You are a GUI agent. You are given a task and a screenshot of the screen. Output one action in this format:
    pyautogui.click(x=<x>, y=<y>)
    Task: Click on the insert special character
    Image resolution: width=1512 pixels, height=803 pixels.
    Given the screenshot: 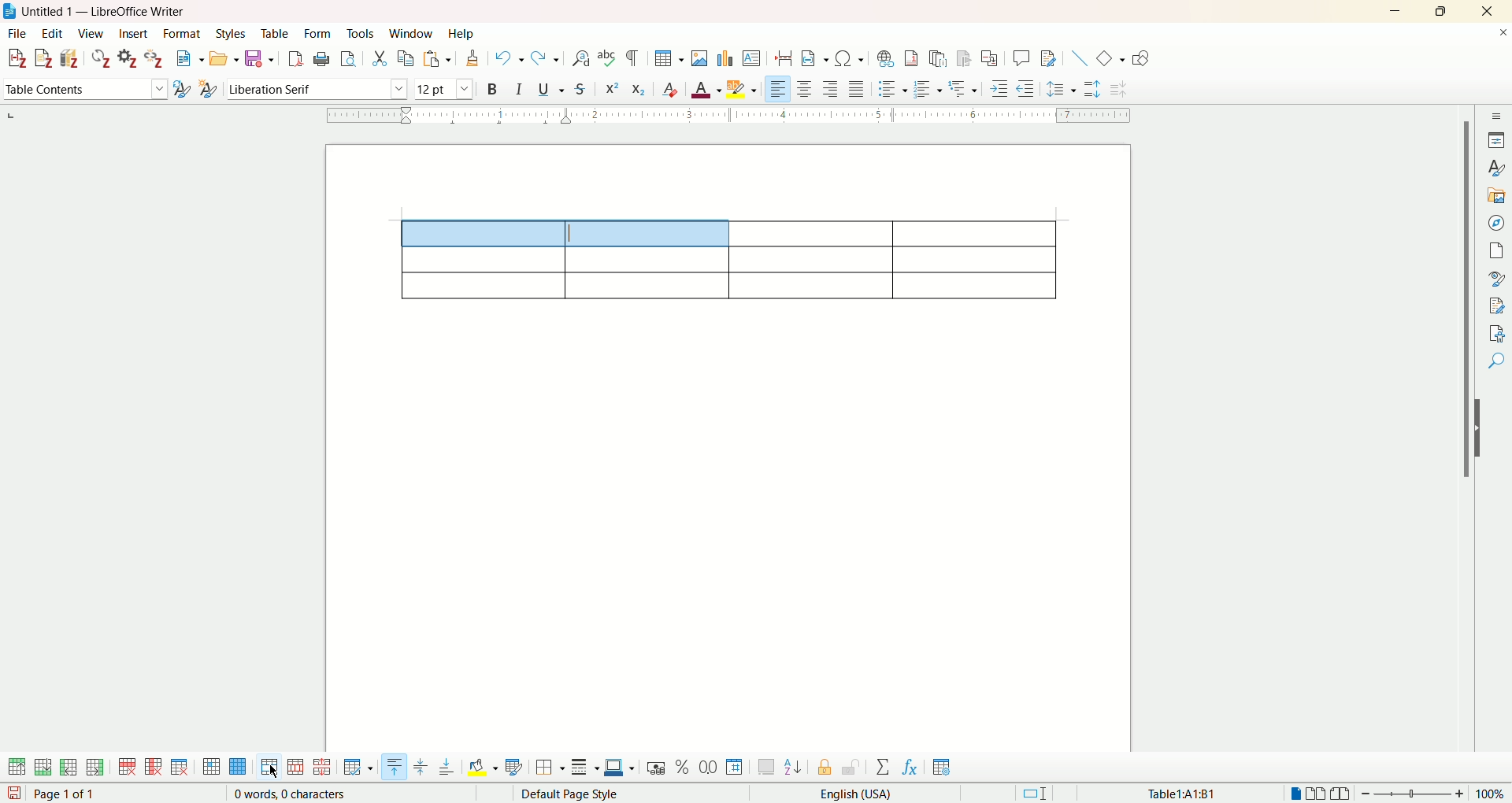 What is the action you would take?
    pyautogui.click(x=850, y=59)
    